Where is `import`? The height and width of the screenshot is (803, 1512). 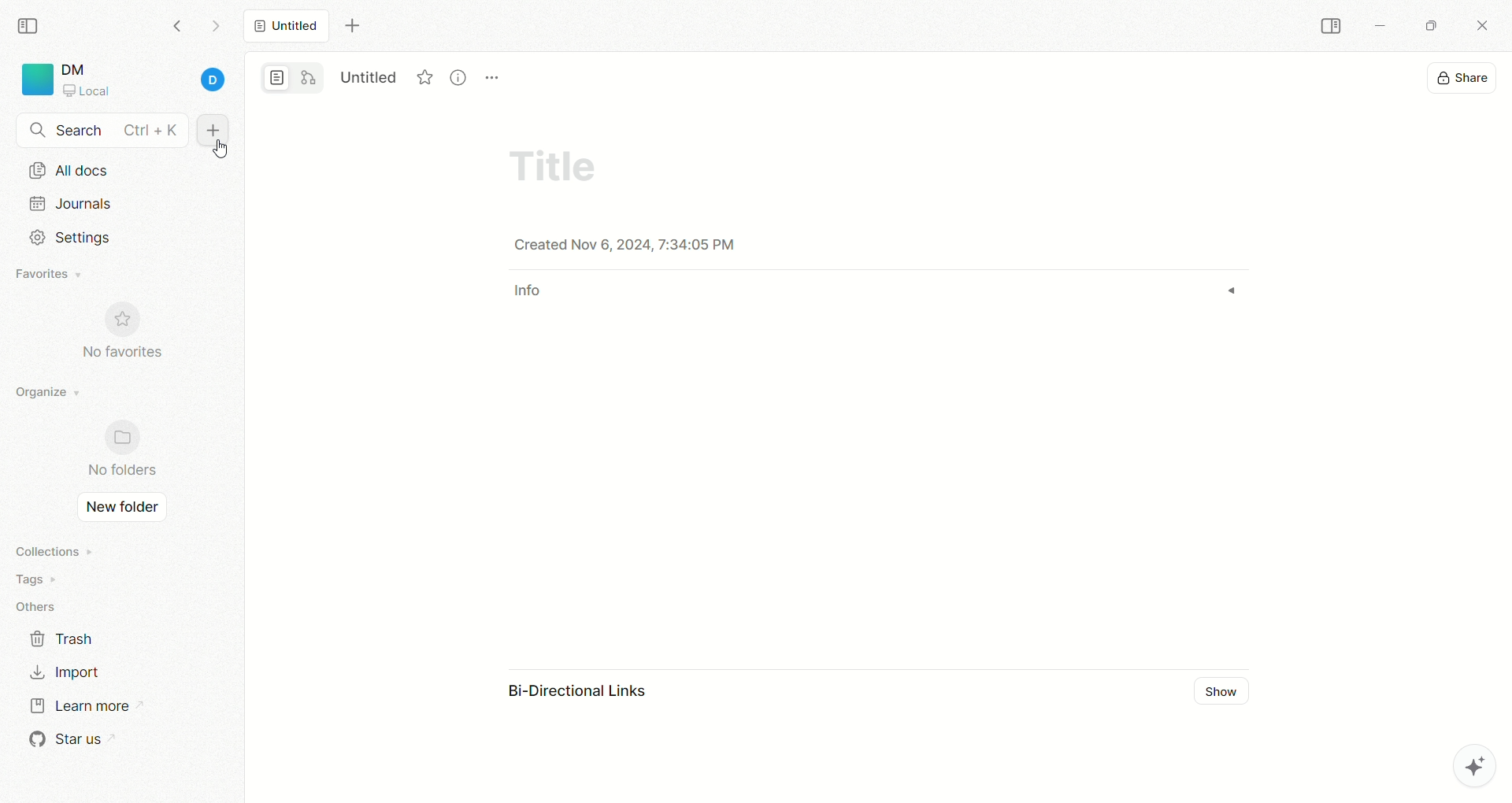
import is located at coordinates (63, 672).